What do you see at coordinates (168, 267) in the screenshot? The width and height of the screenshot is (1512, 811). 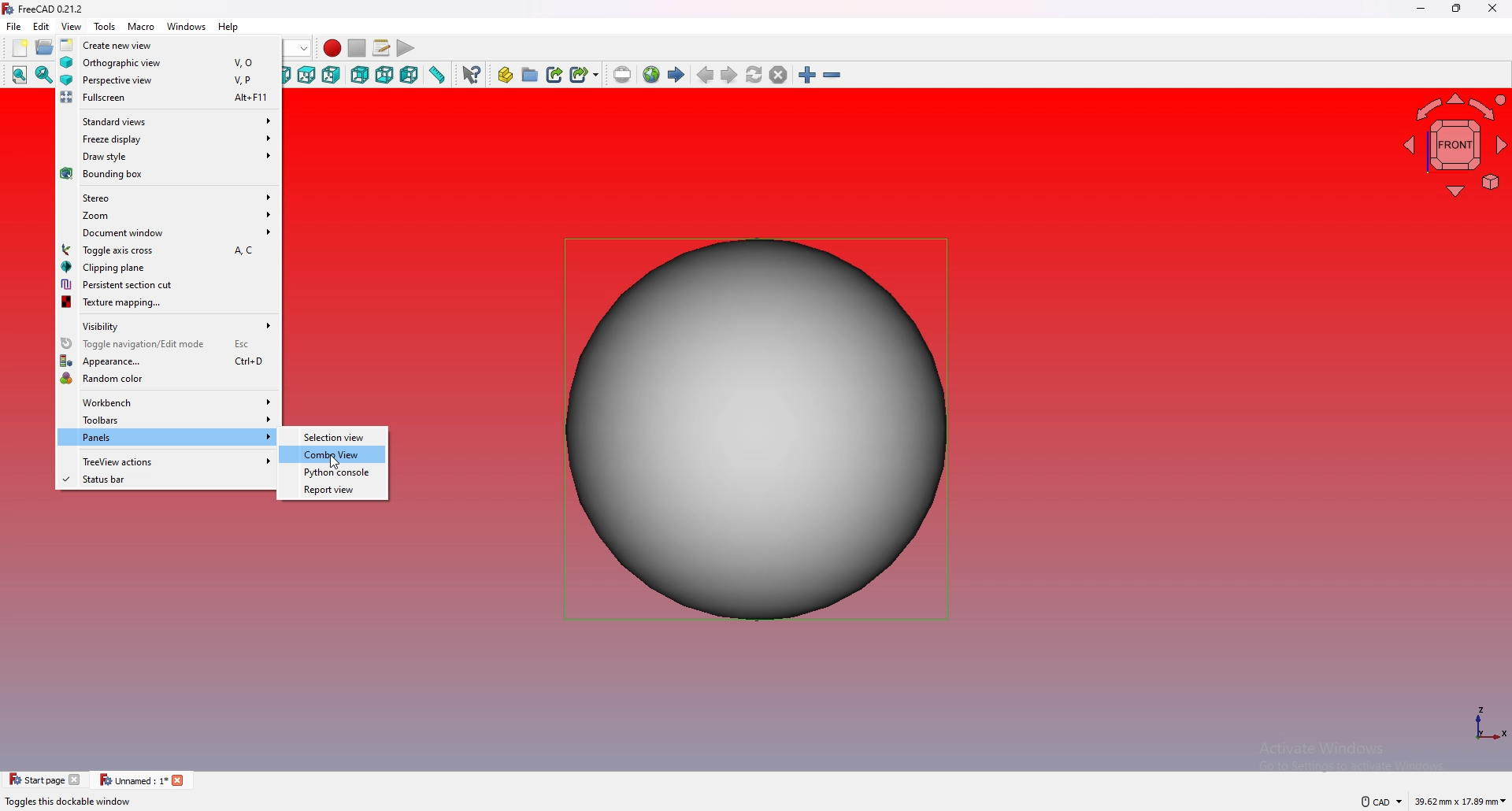 I see `clipping pane` at bounding box center [168, 267].